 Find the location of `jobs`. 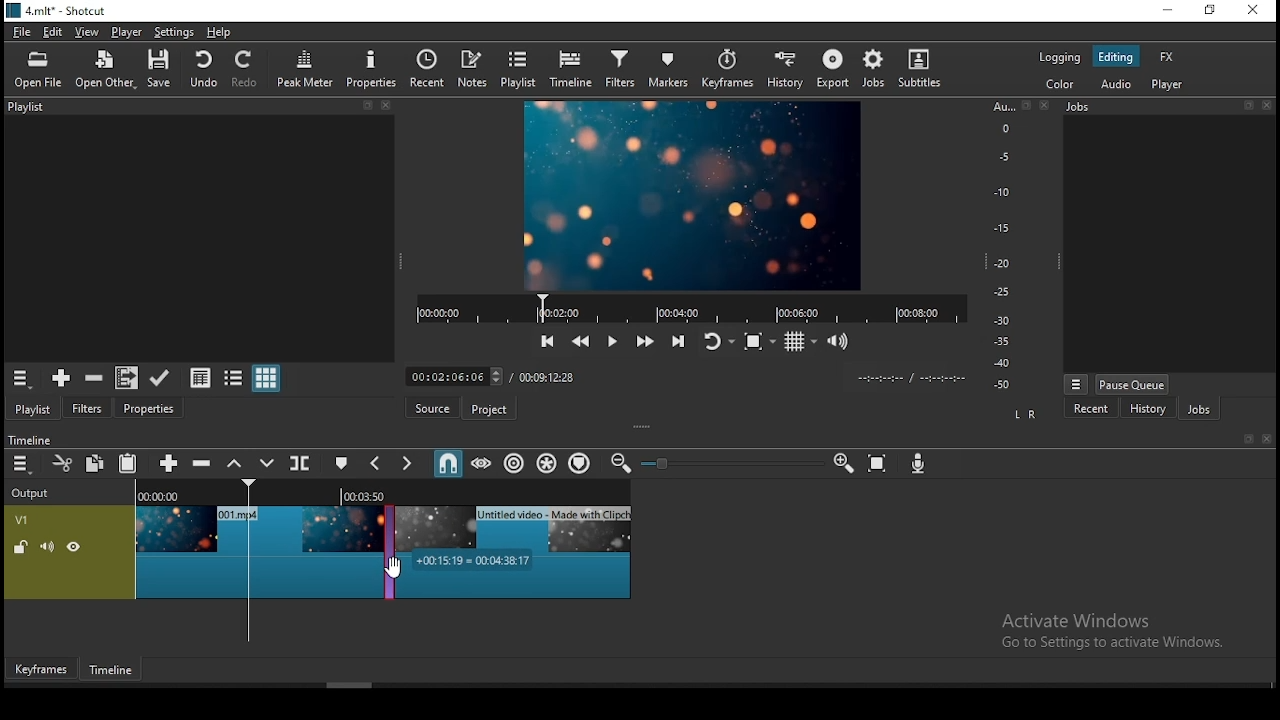

jobs is located at coordinates (1199, 409).